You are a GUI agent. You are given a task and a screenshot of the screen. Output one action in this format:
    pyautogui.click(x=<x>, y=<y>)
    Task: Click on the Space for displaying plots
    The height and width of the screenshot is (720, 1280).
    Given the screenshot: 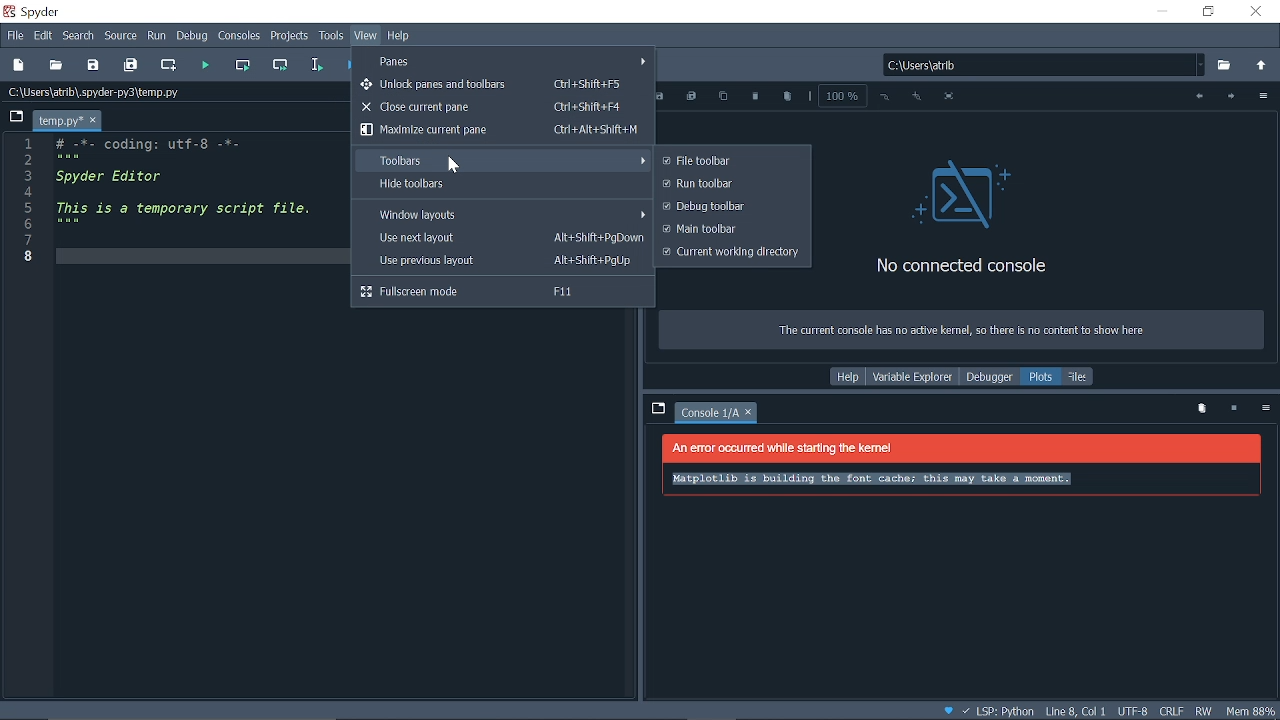 What is the action you would take?
    pyautogui.click(x=962, y=523)
    